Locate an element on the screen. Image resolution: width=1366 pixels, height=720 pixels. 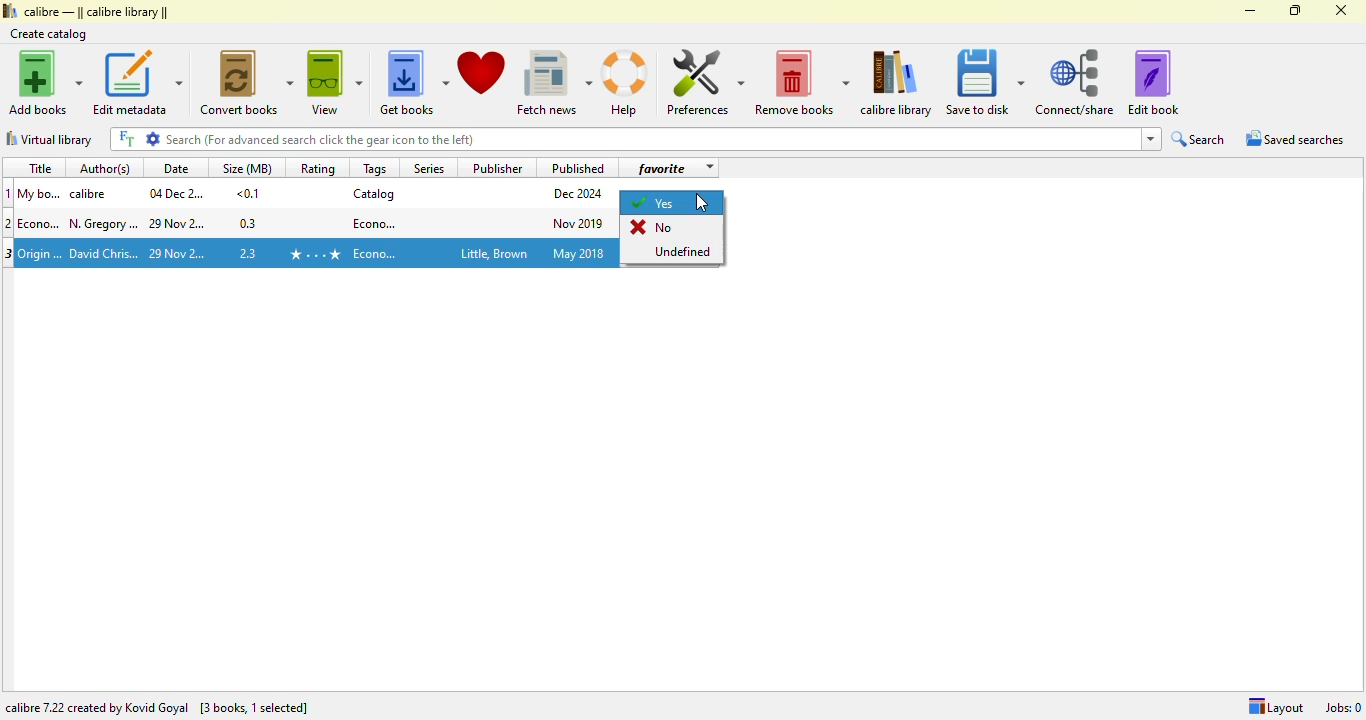
create catalog is located at coordinates (49, 34).